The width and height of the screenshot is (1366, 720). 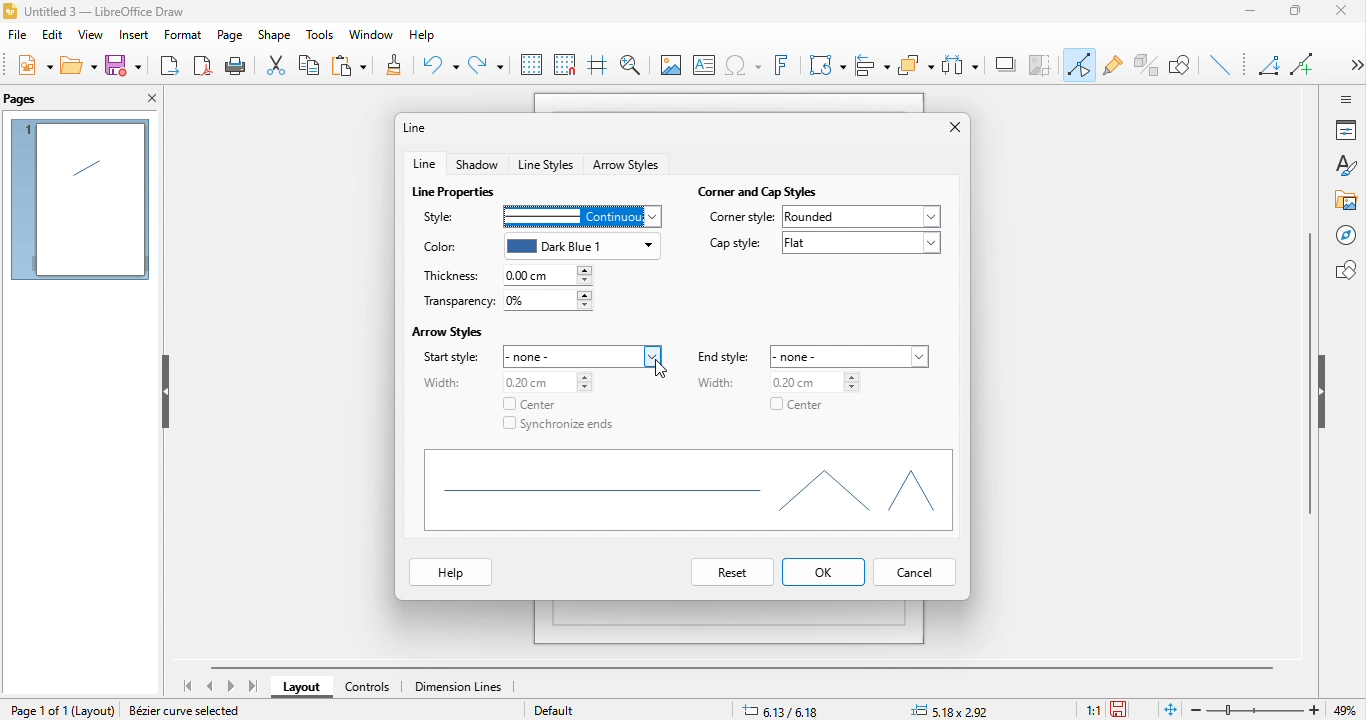 What do you see at coordinates (963, 64) in the screenshot?
I see `select at least three object to distribute` at bounding box center [963, 64].